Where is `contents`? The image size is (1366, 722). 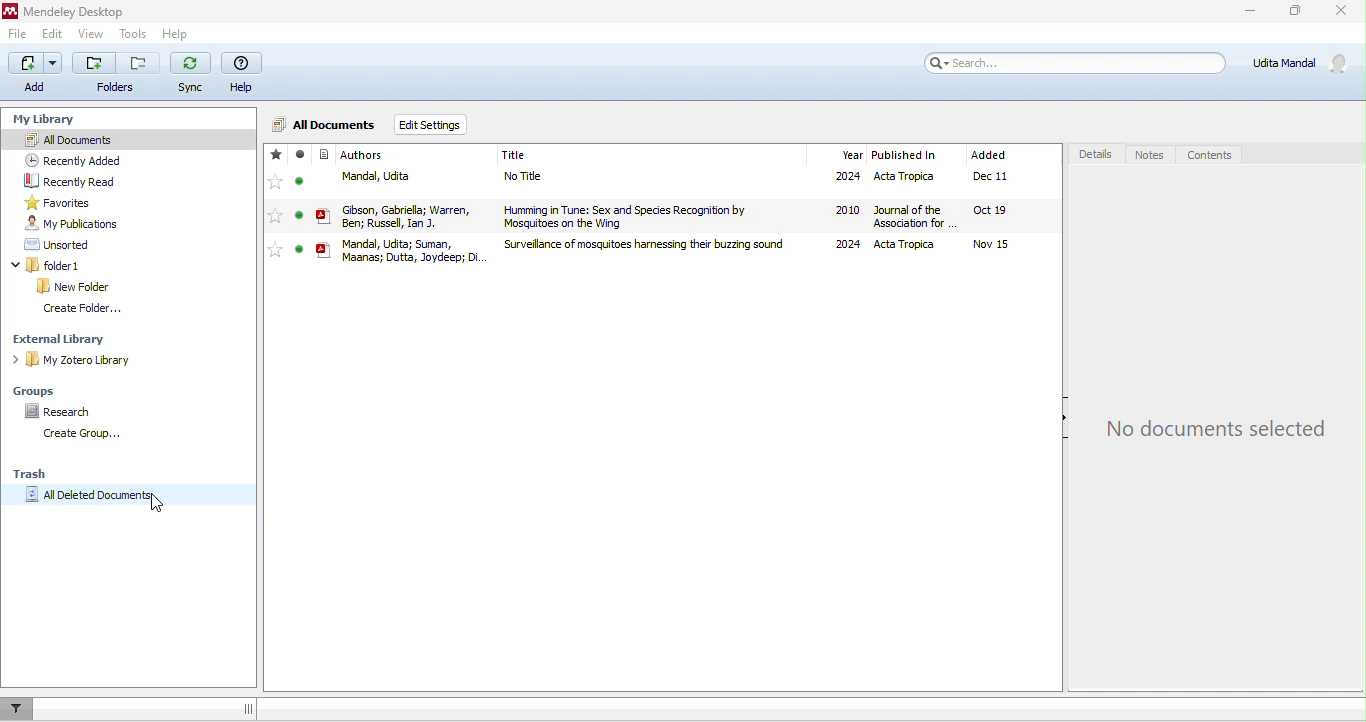
contents is located at coordinates (1223, 158).